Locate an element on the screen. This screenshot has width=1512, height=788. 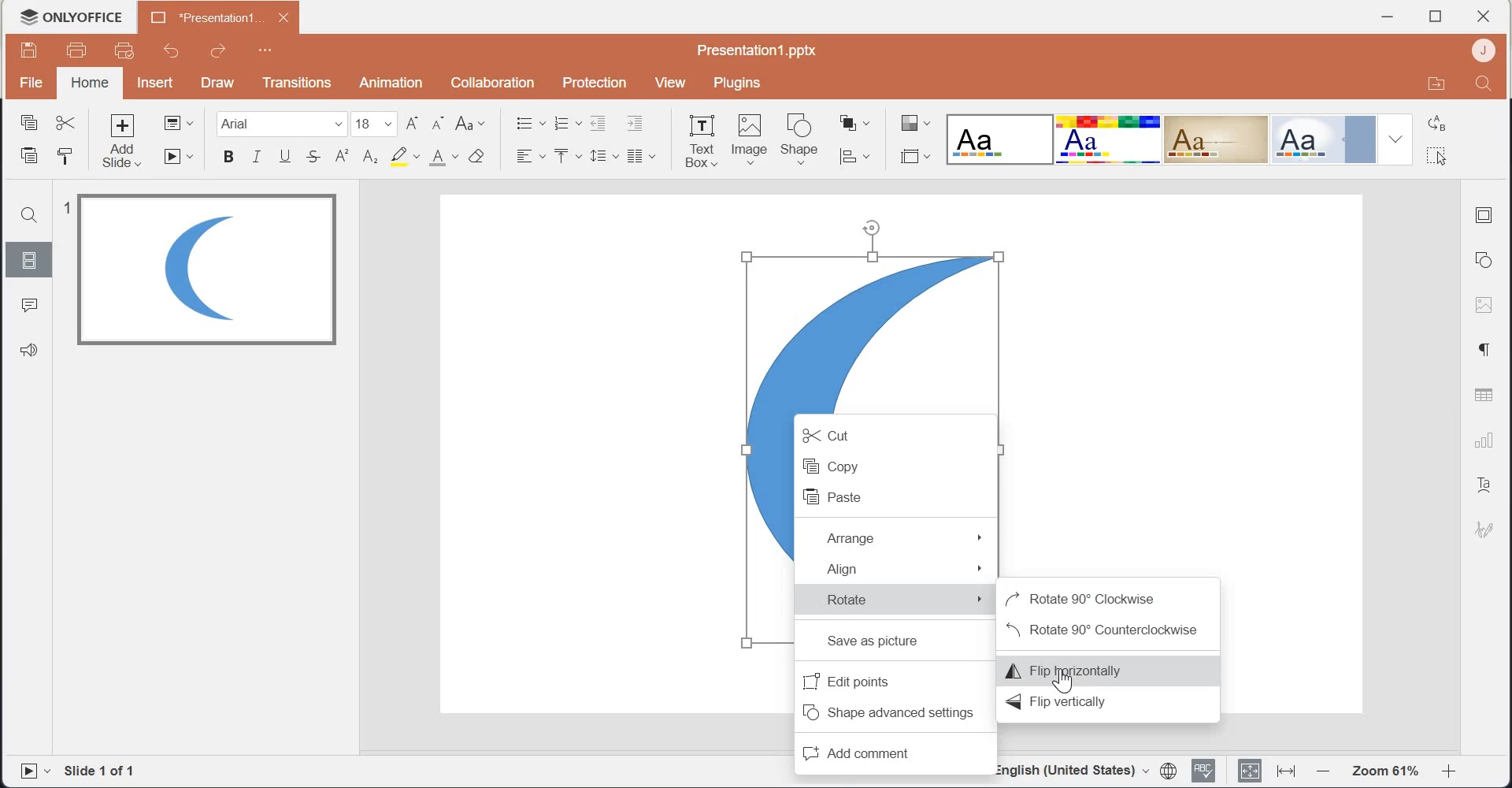
Blank is located at coordinates (1000, 138).